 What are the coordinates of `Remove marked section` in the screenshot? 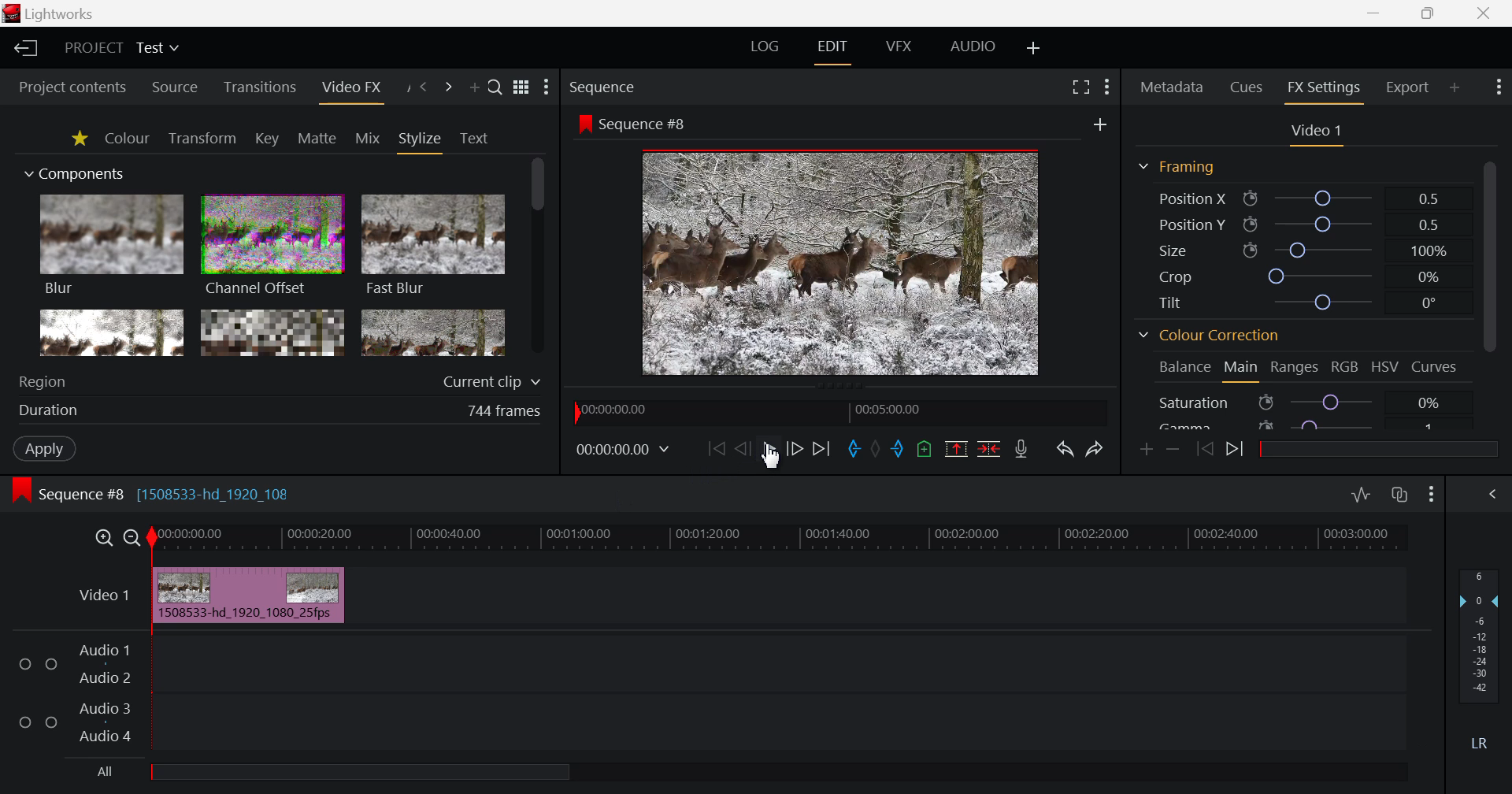 It's located at (958, 451).